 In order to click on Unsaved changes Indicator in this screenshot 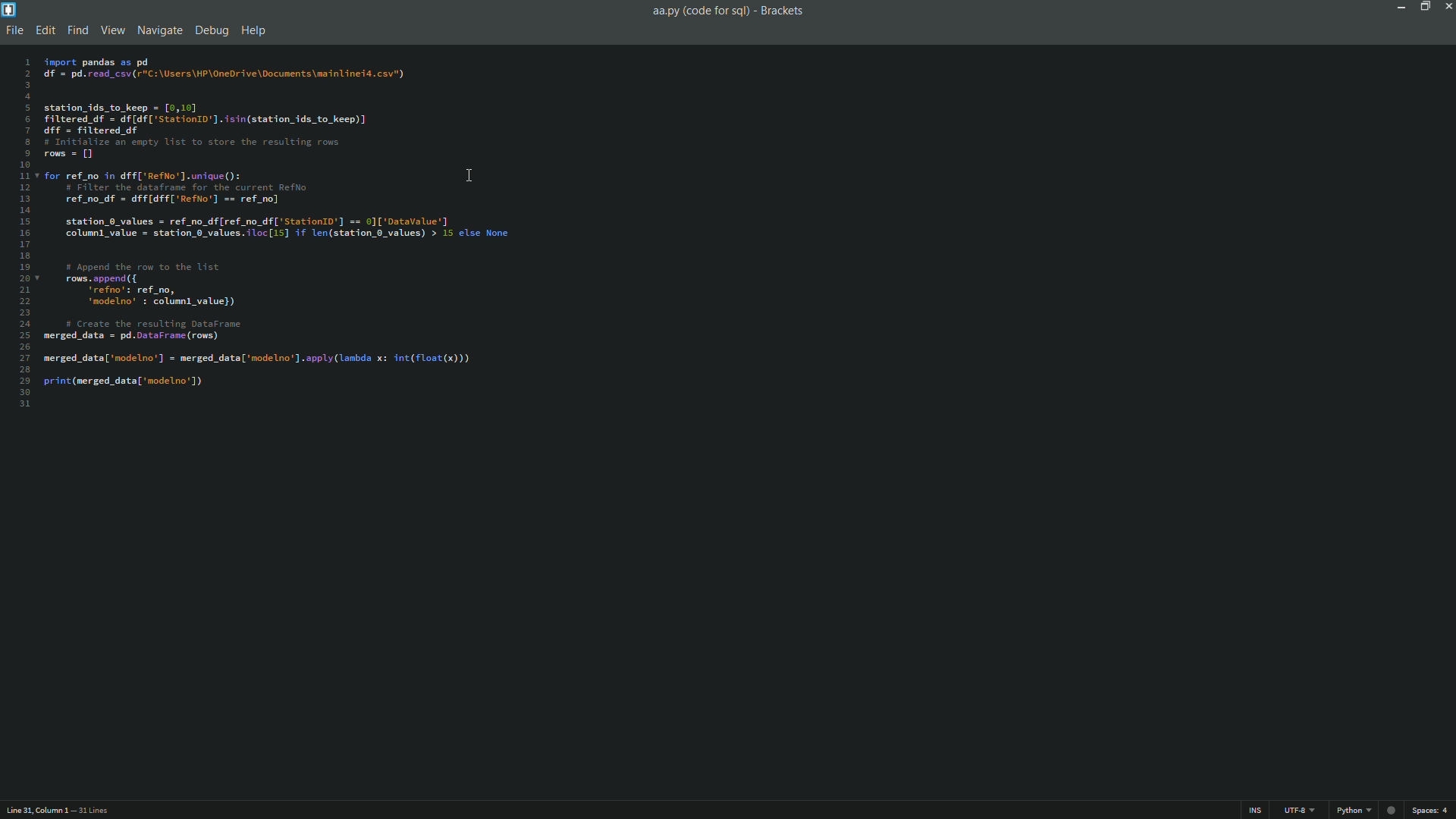, I will do `click(1395, 805)`.